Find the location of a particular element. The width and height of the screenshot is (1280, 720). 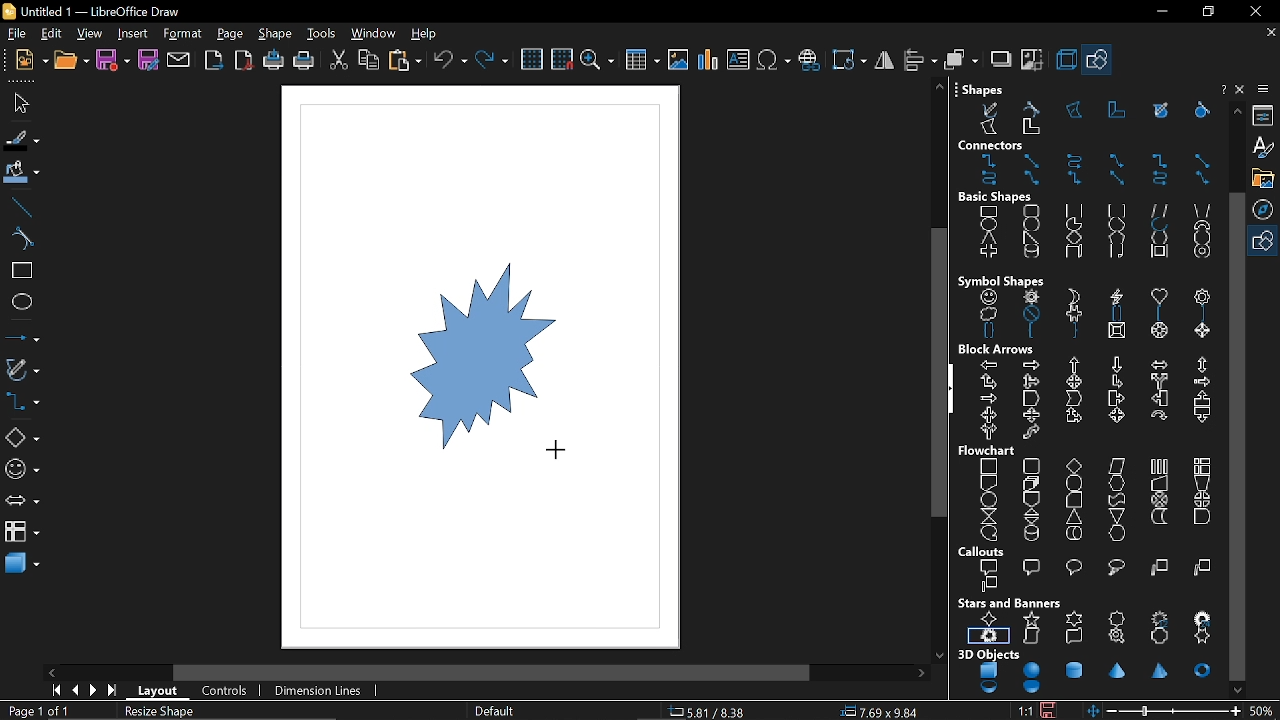

cut is located at coordinates (340, 60).